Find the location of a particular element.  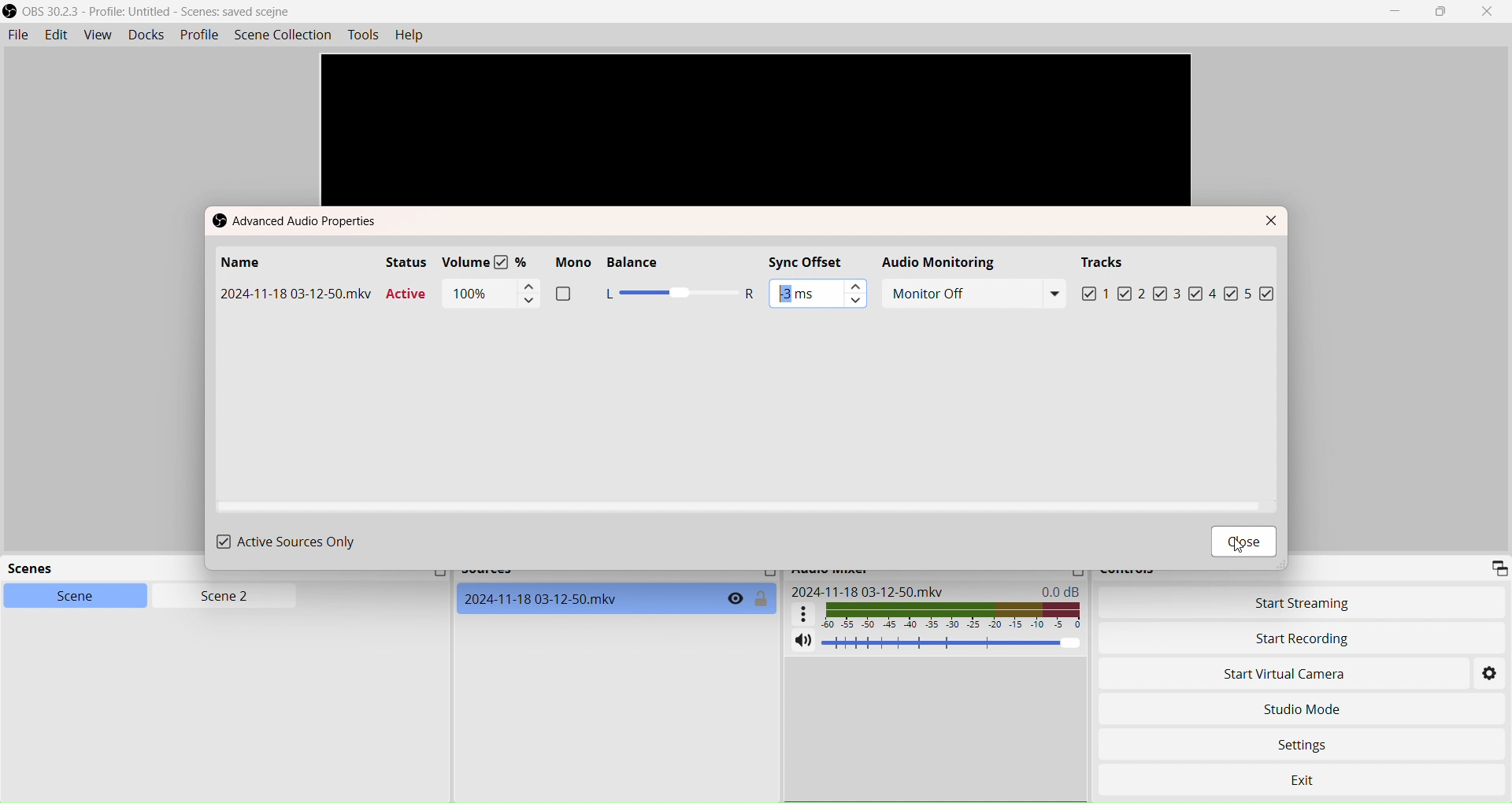

2024-11-18 03-12-50.mkv is located at coordinates (868, 591).